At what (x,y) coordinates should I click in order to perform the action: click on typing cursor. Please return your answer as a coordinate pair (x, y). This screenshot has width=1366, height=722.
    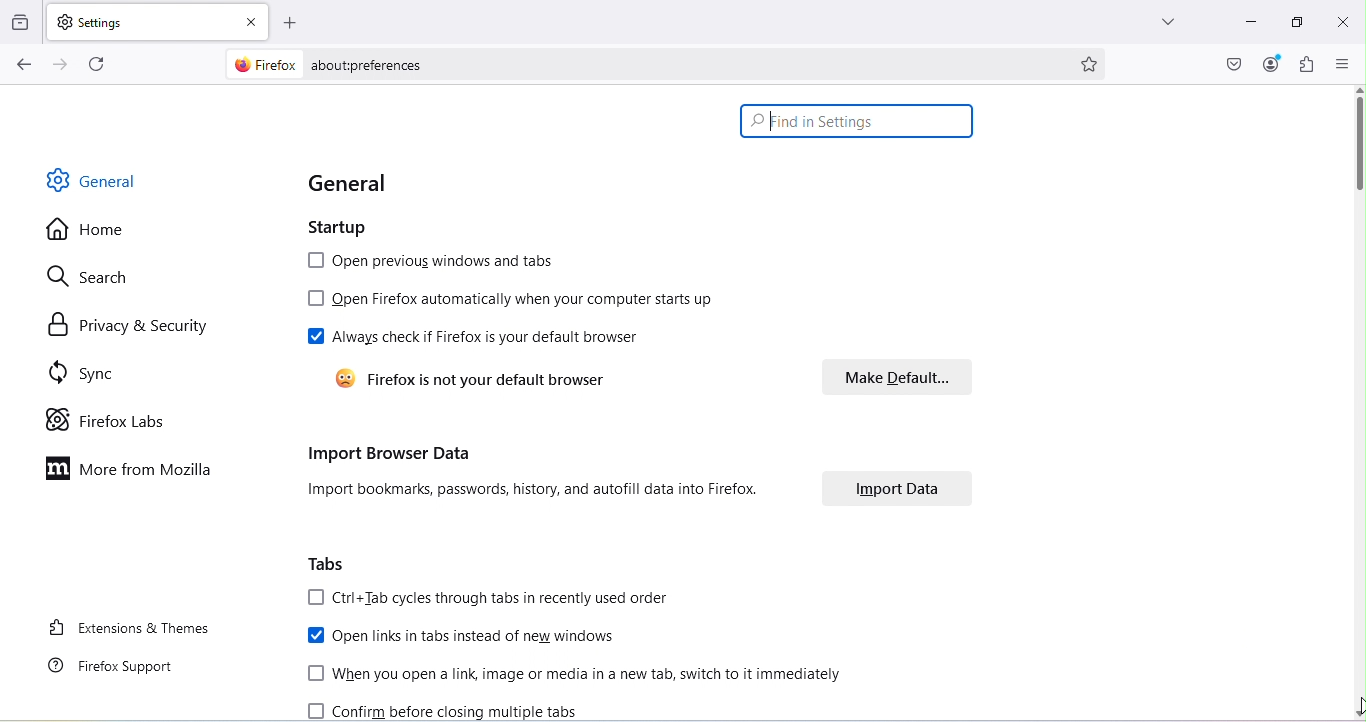
    Looking at the image, I should click on (768, 127).